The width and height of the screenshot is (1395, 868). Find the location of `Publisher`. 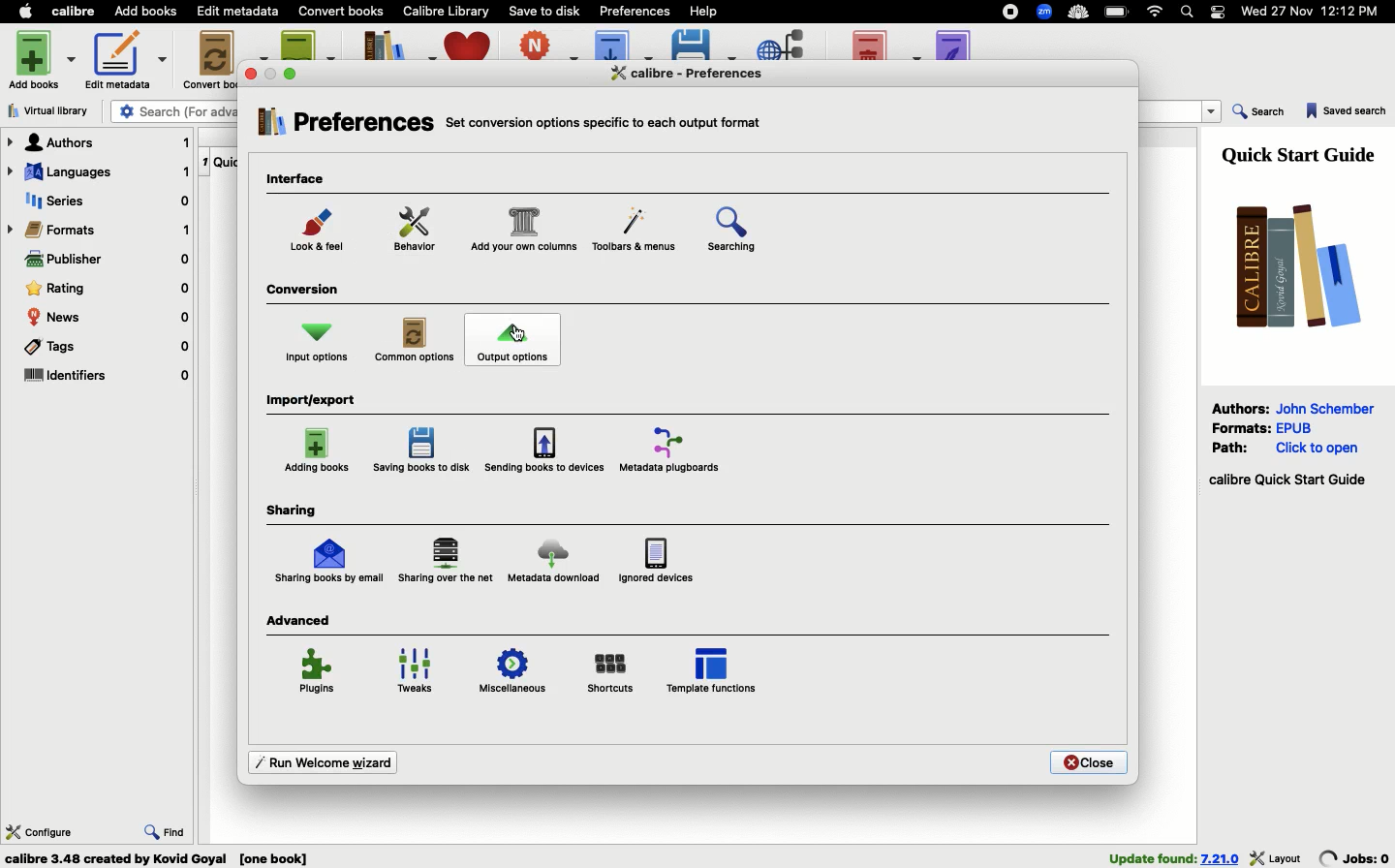

Publisher is located at coordinates (107, 262).